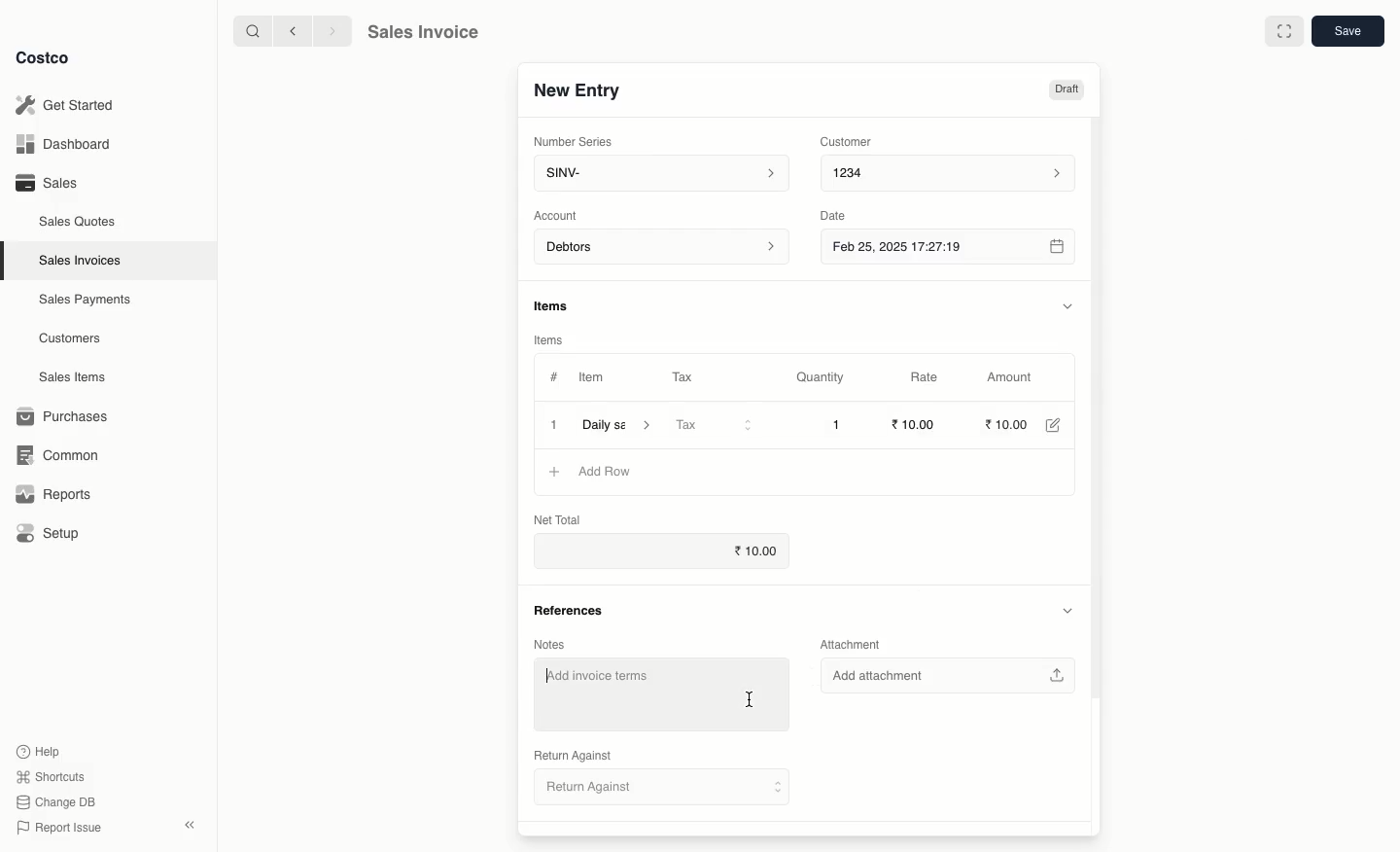 This screenshot has width=1400, height=852. Describe the element at coordinates (1012, 424) in the screenshot. I see `10.00` at that location.